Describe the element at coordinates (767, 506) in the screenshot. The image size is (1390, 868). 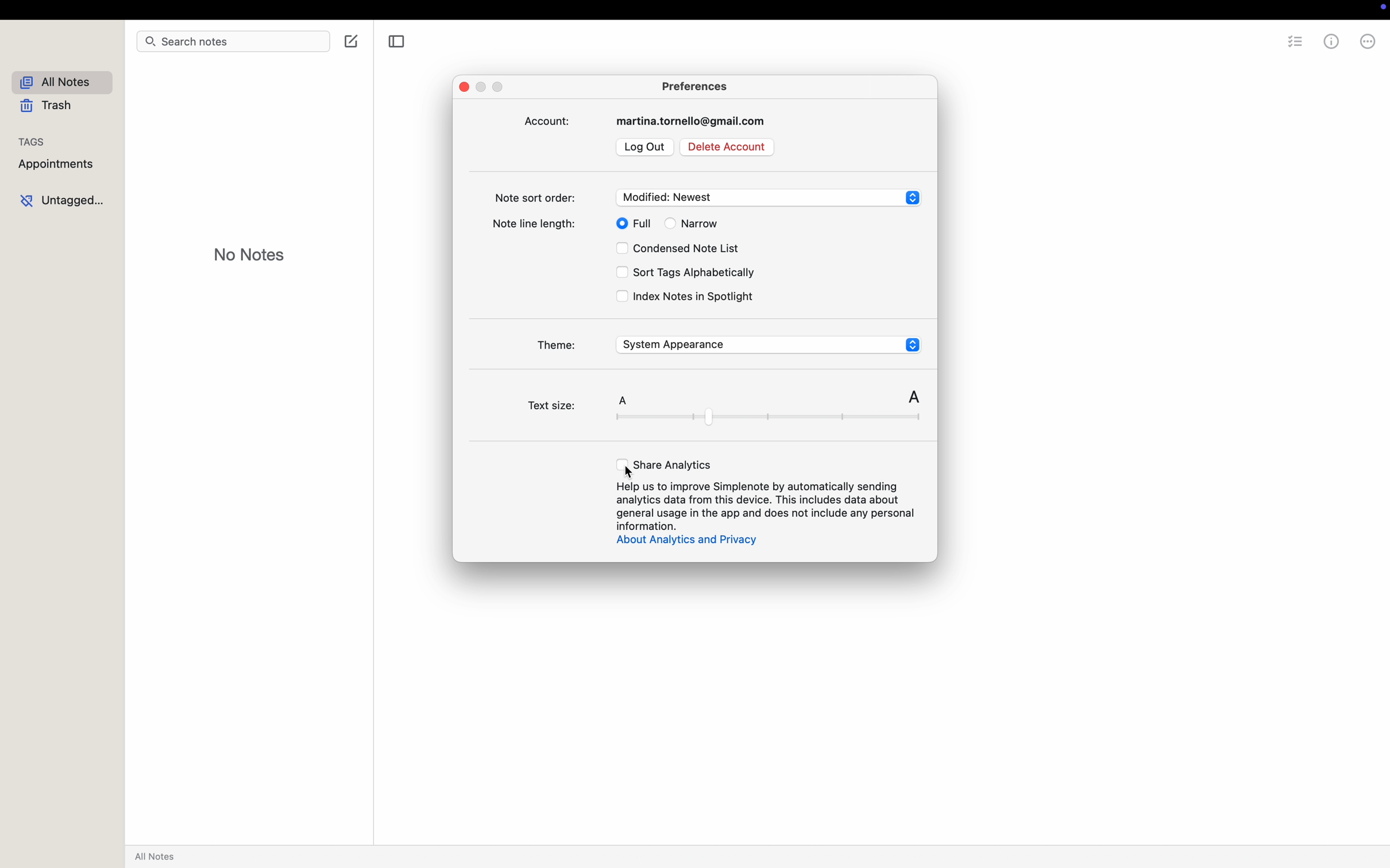
I see `Help us to improve Simplenote by automatically sending analytics data from this device...` at that location.